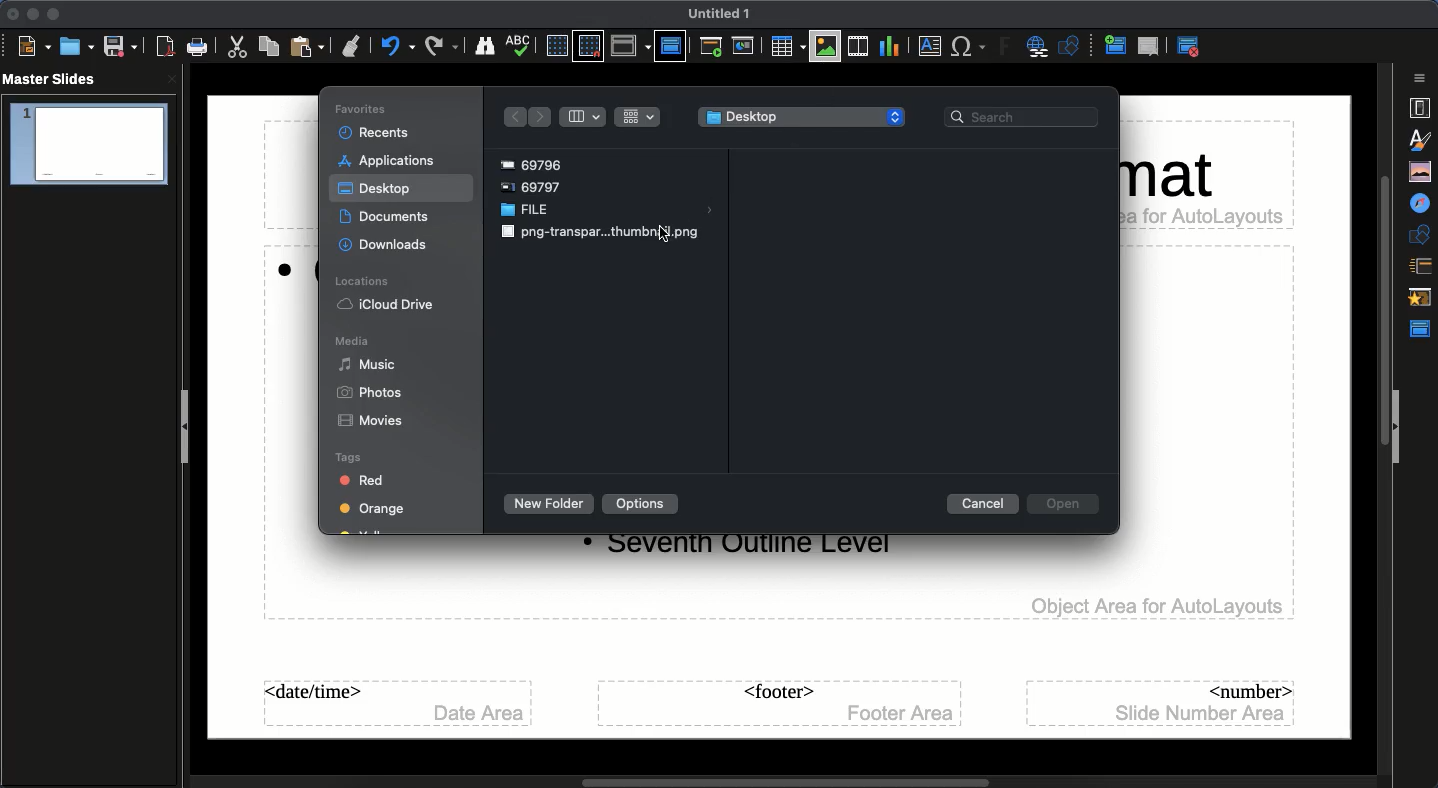  What do you see at coordinates (389, 305) in the screenshot?
I see `iCloud Drive` at bounding box center [389, 305].